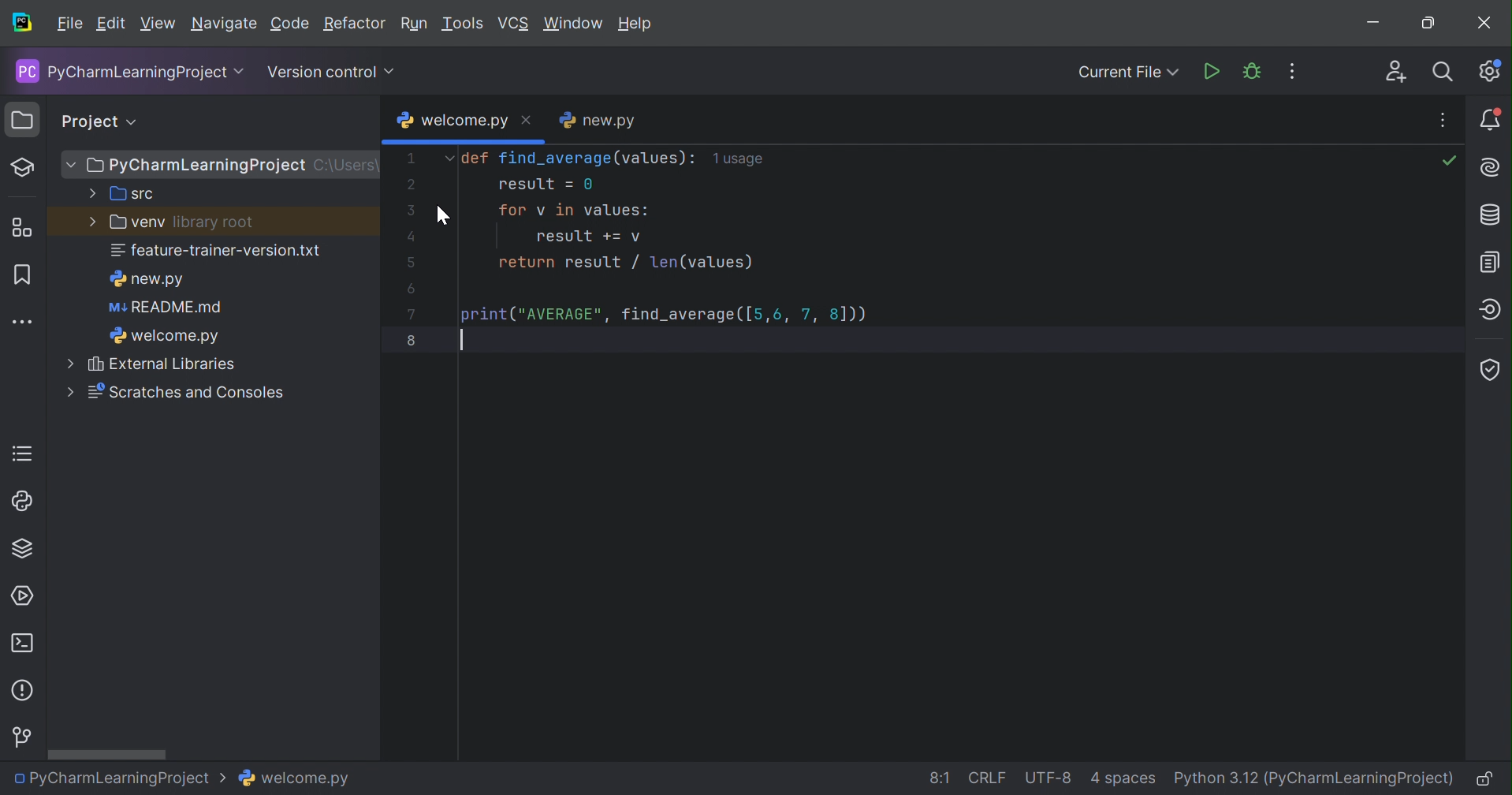 This screenshot has height=795, width=1512. I want to click on PyCharmLearningProject, so click(122, 779).